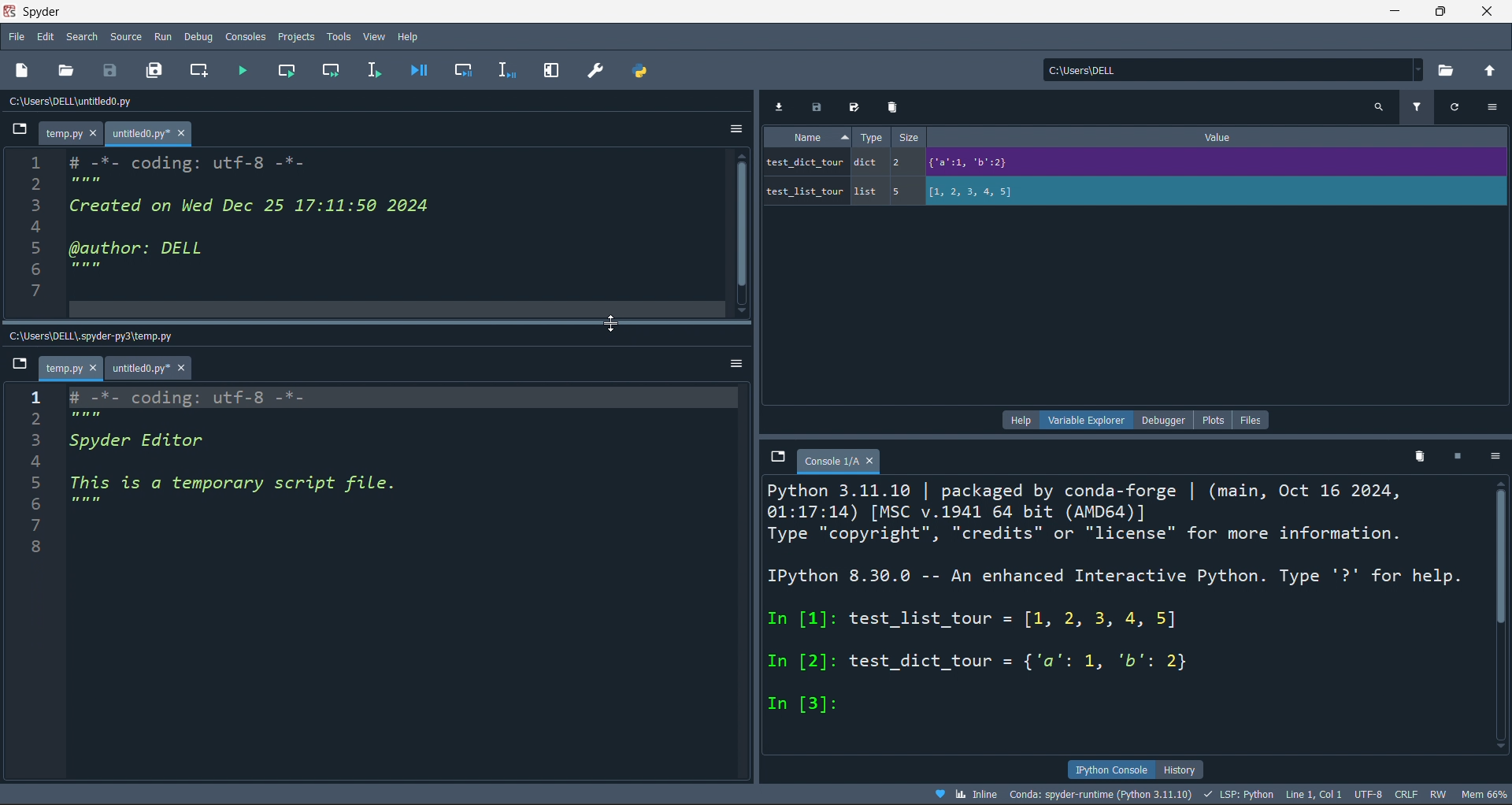  I want to click on options, so click(1495, 457).